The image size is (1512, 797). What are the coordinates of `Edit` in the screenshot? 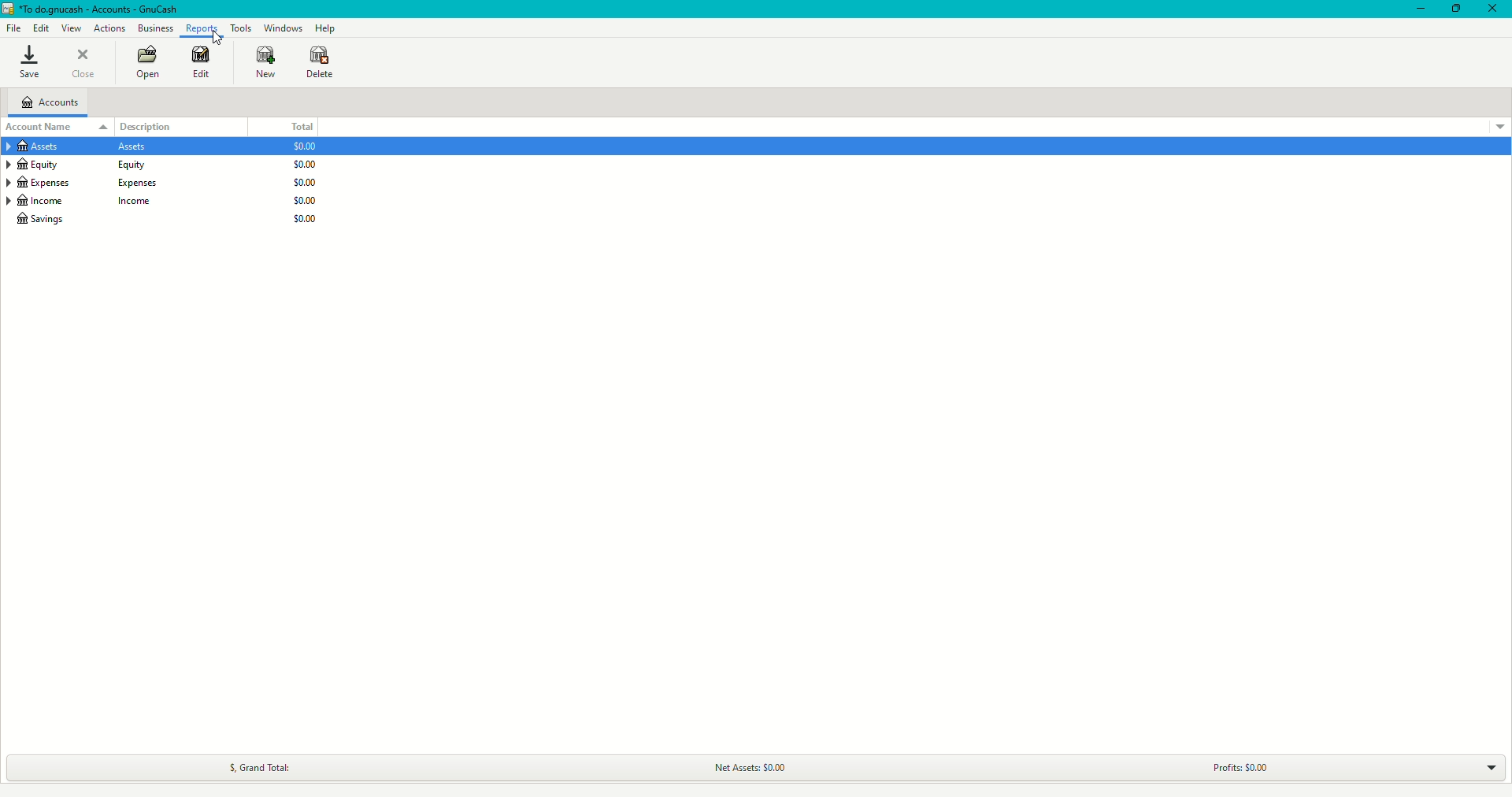 It's located at (43, 27).